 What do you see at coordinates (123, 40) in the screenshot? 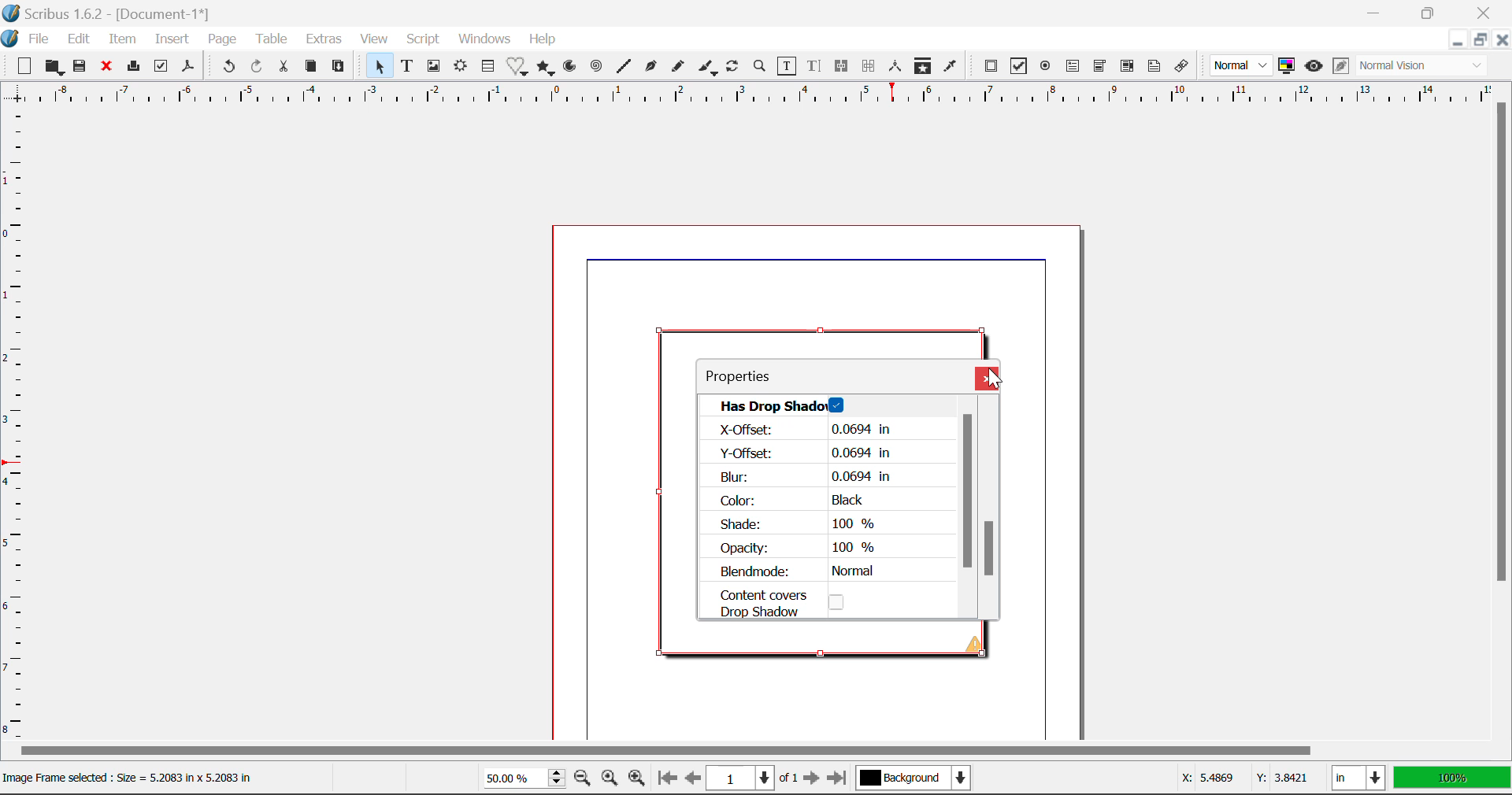
I see `Item` at bounding box center [123, 40].